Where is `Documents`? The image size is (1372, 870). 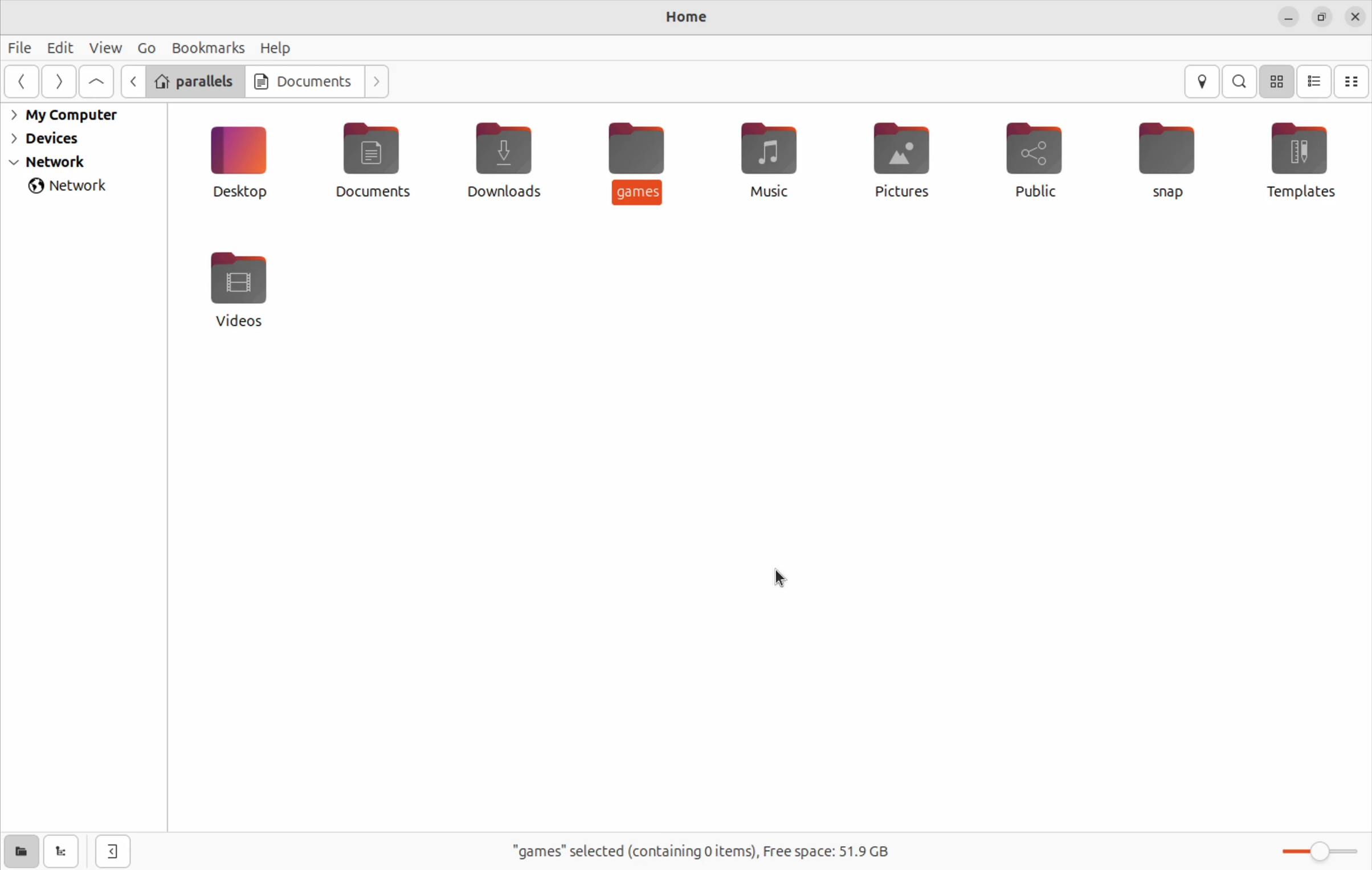 Documents is located at coordinates (304, 80).